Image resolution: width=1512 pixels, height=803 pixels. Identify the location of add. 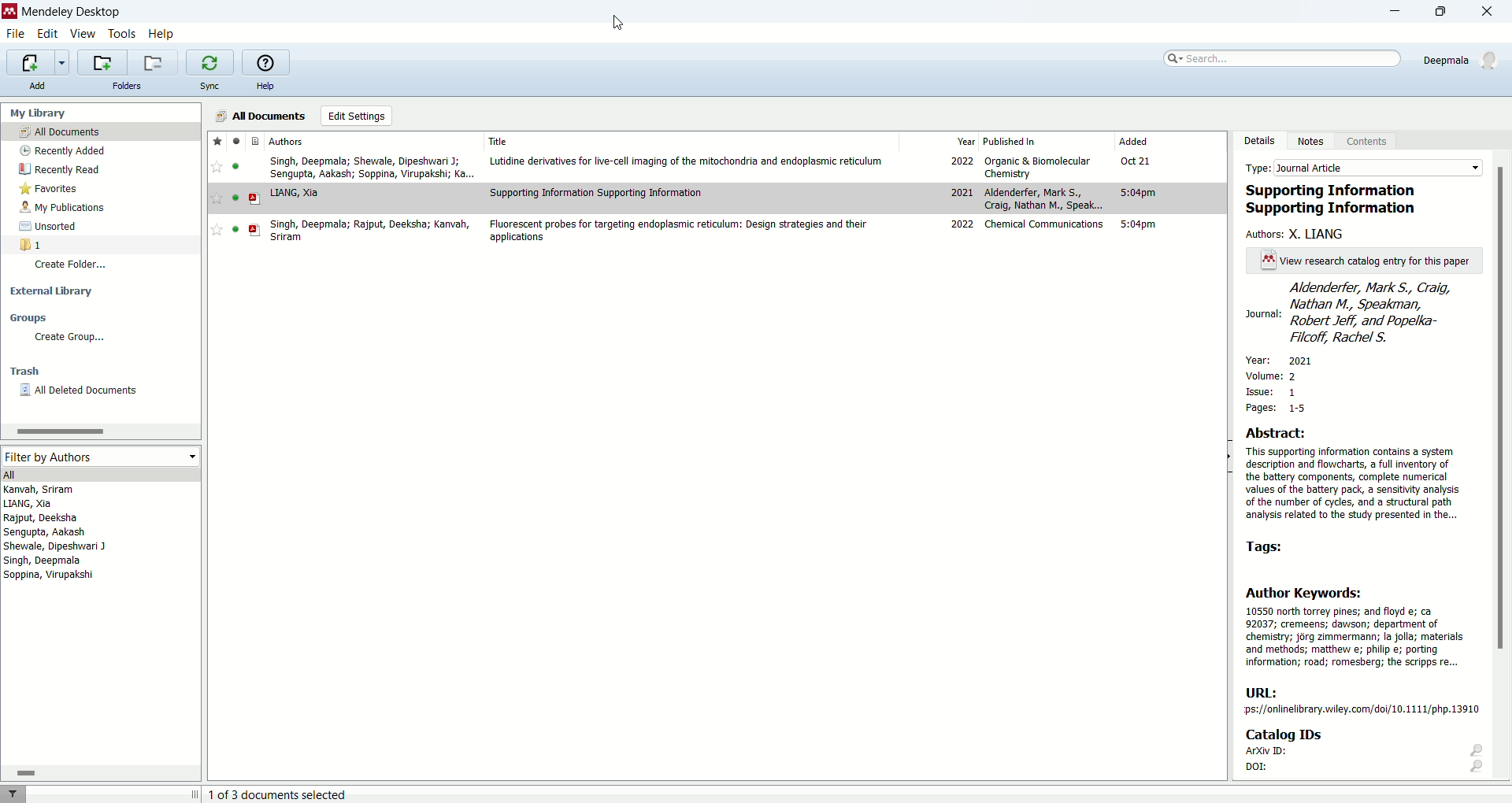
(43, 86).